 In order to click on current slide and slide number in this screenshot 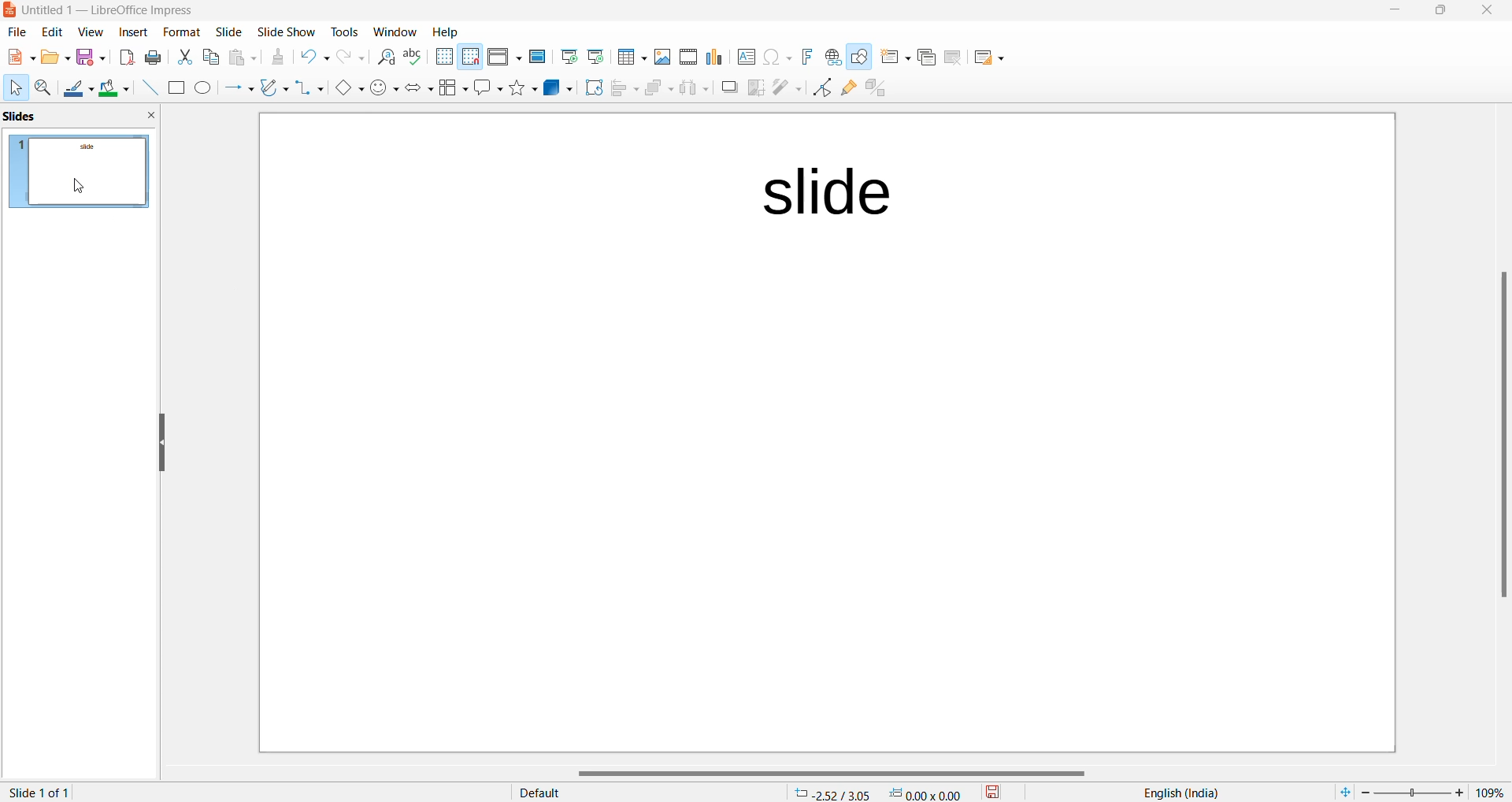, I will do `click(43, 793)`.